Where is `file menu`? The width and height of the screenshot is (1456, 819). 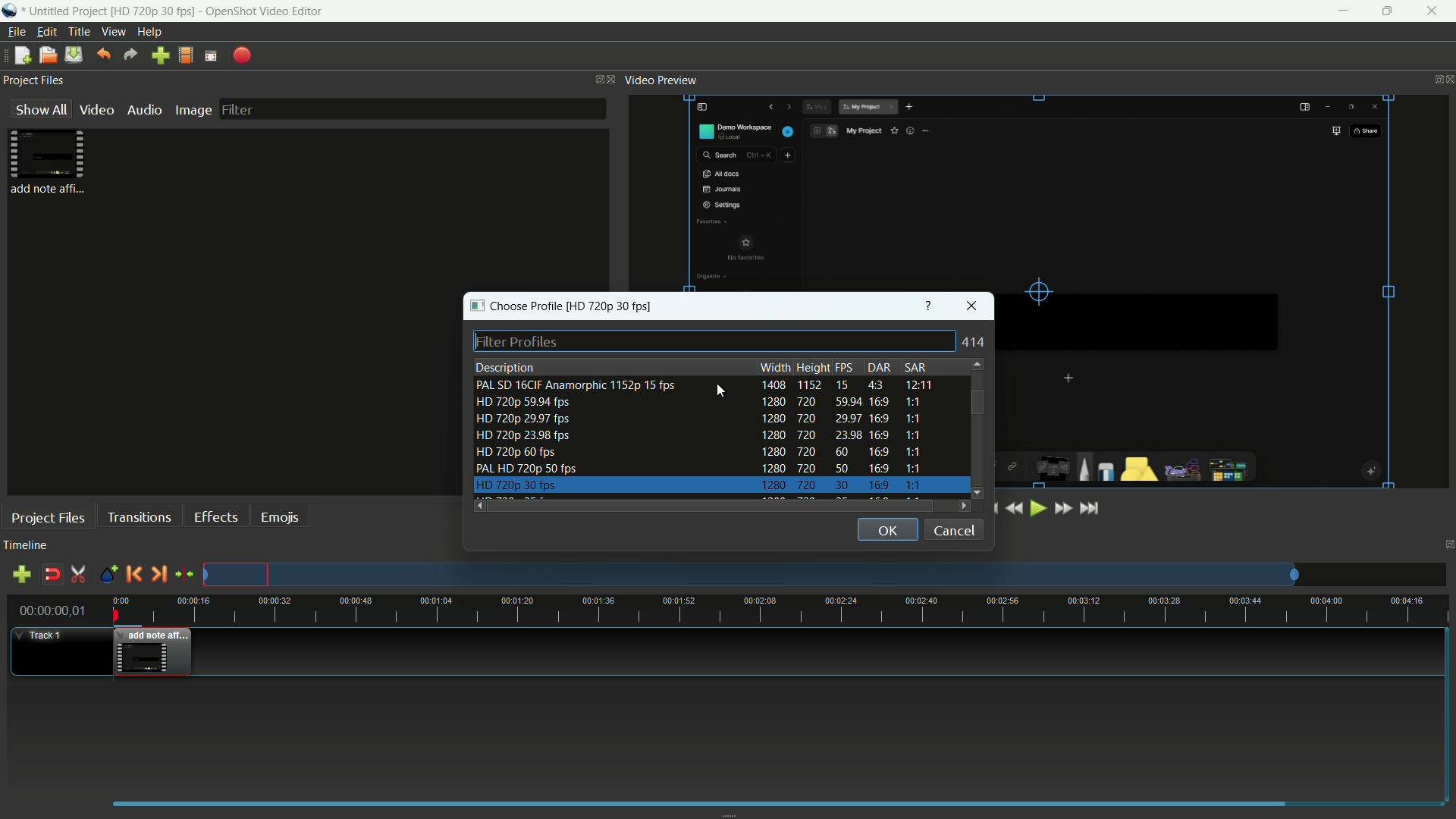
file menu is located at coordinates (16, 32).